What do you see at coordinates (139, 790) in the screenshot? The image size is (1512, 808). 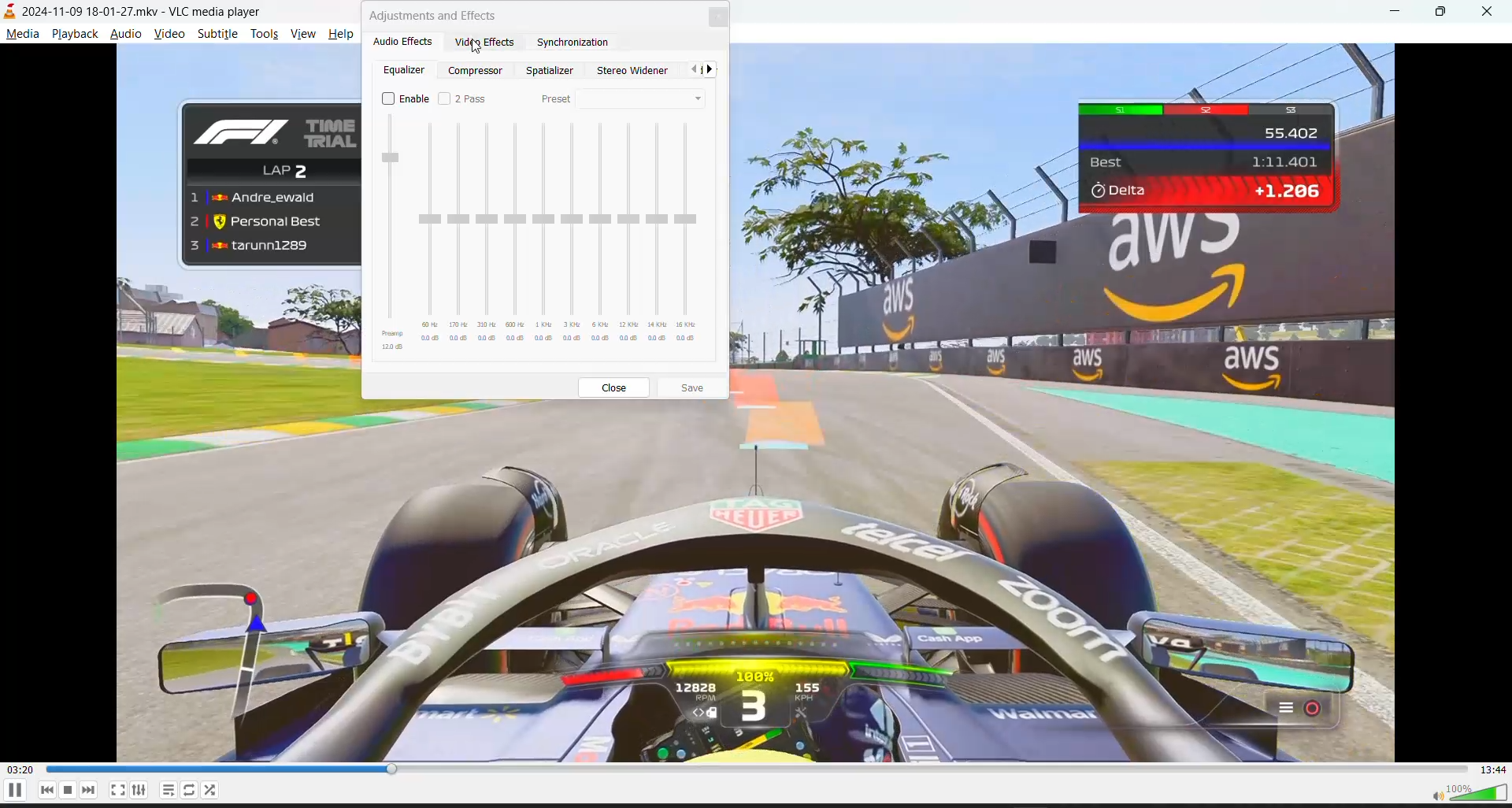 I see `settings` at bounding box center [139, 790].